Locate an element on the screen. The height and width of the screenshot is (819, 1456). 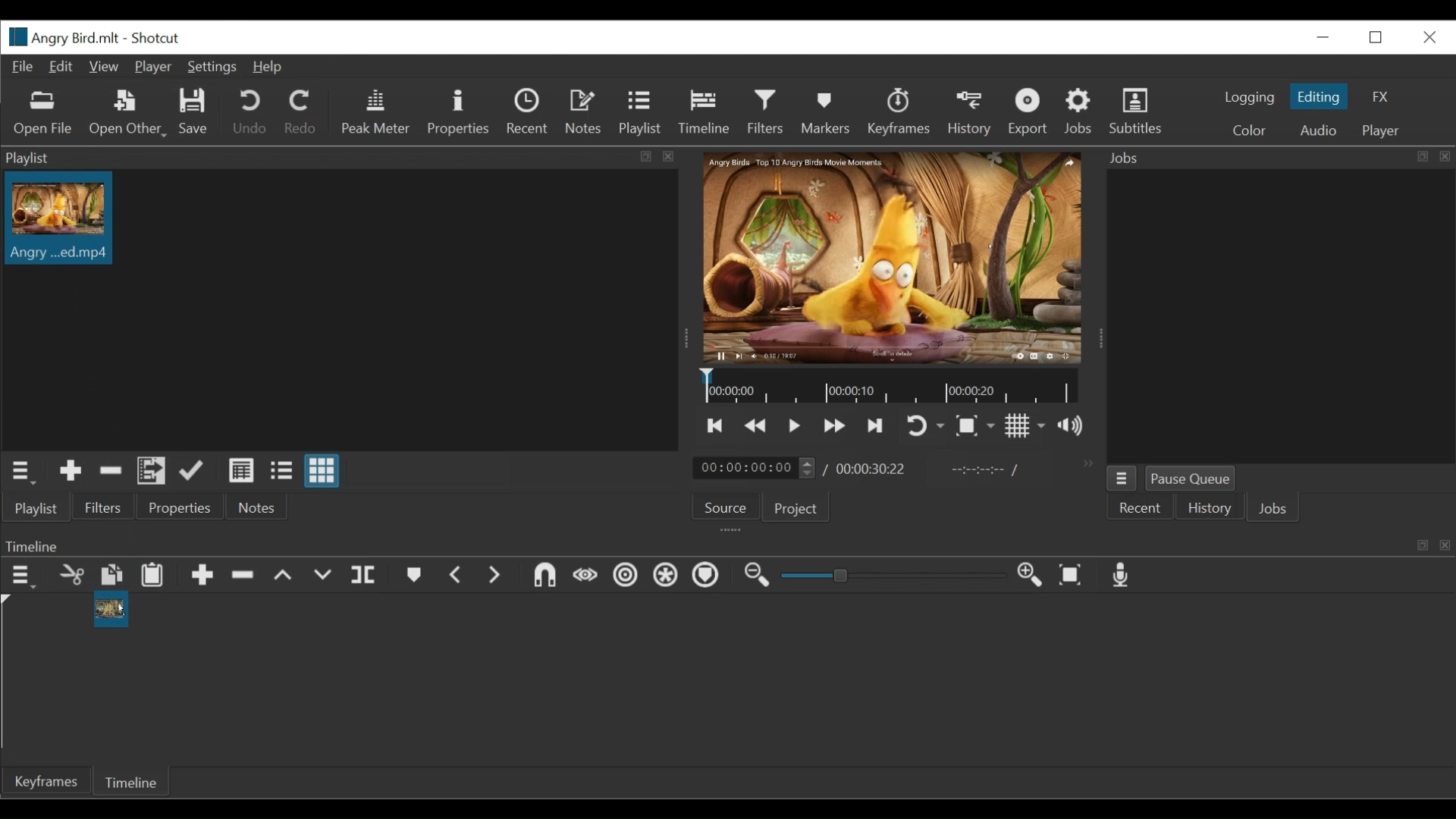
zoom slider is located at coordinates (890, 577).